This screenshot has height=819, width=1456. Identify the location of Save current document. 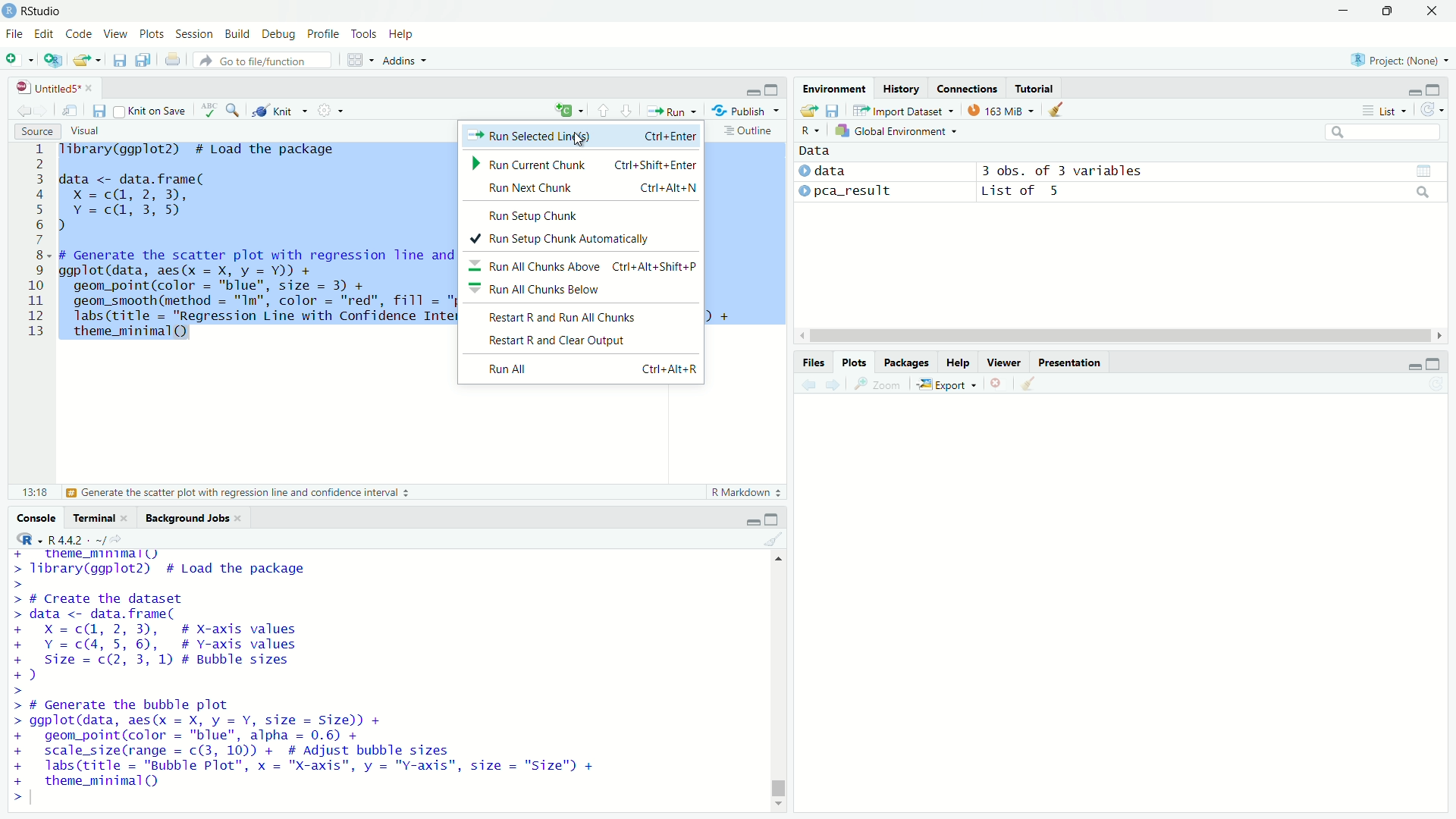
(118, 60).